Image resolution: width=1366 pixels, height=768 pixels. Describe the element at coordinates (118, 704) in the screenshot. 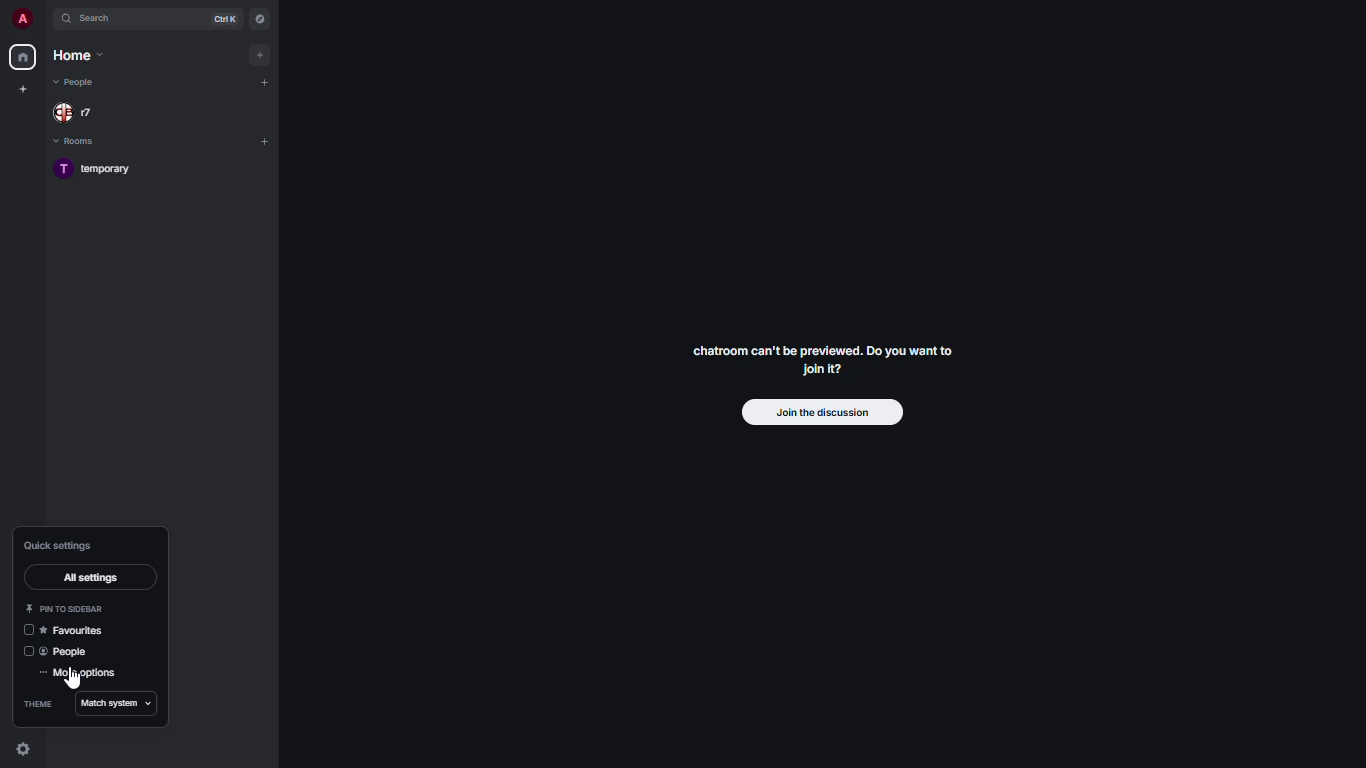

I see `match system` at that location.